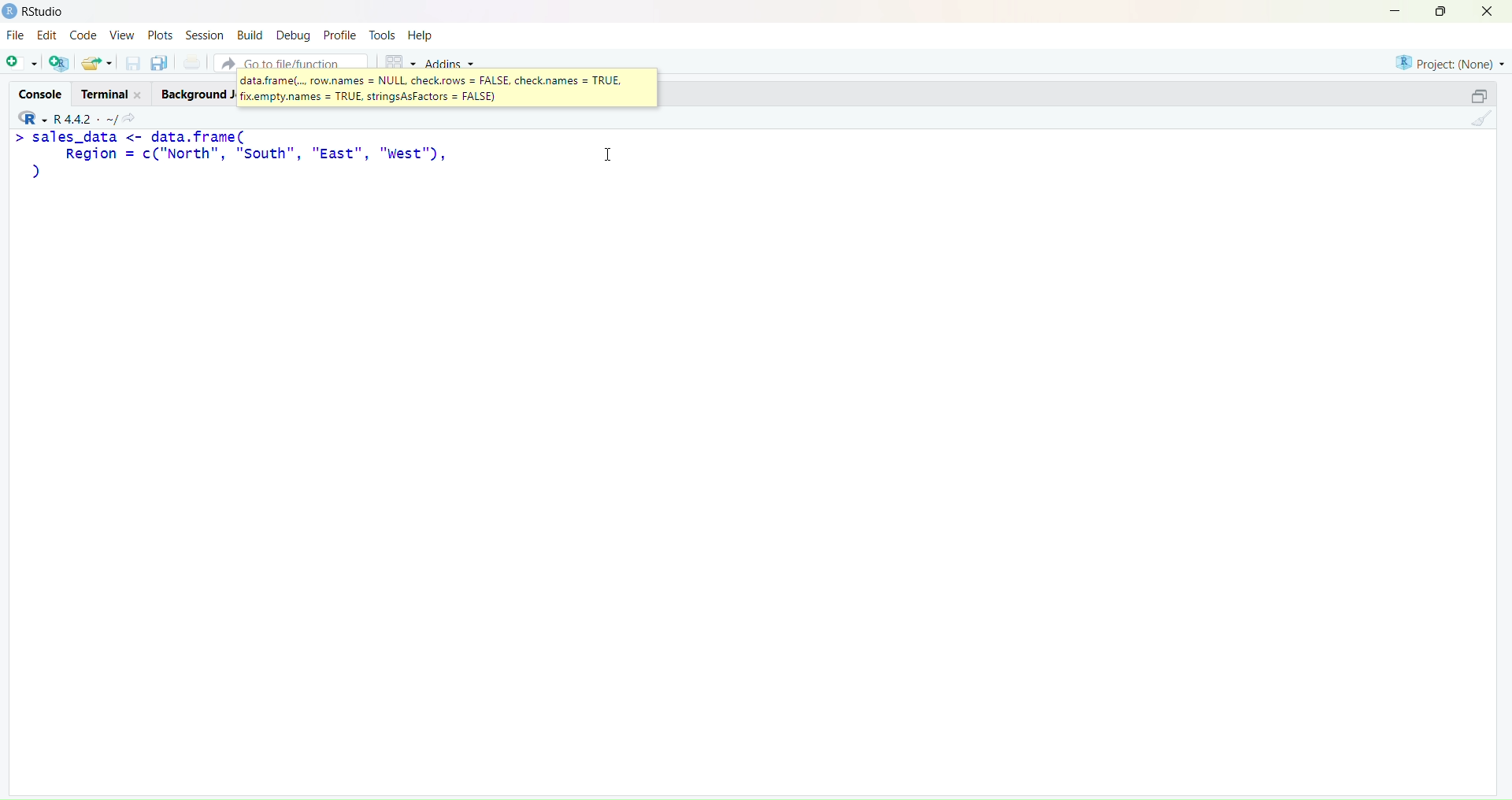 Image resolution: width=1512 pixels, height=800 pixels. I want to click on data.frame(... row.names = NULL check.rows = FALSE, check.names = TRUE.colic = THE shkinaAatons. = FALSE, so click(443, 88).